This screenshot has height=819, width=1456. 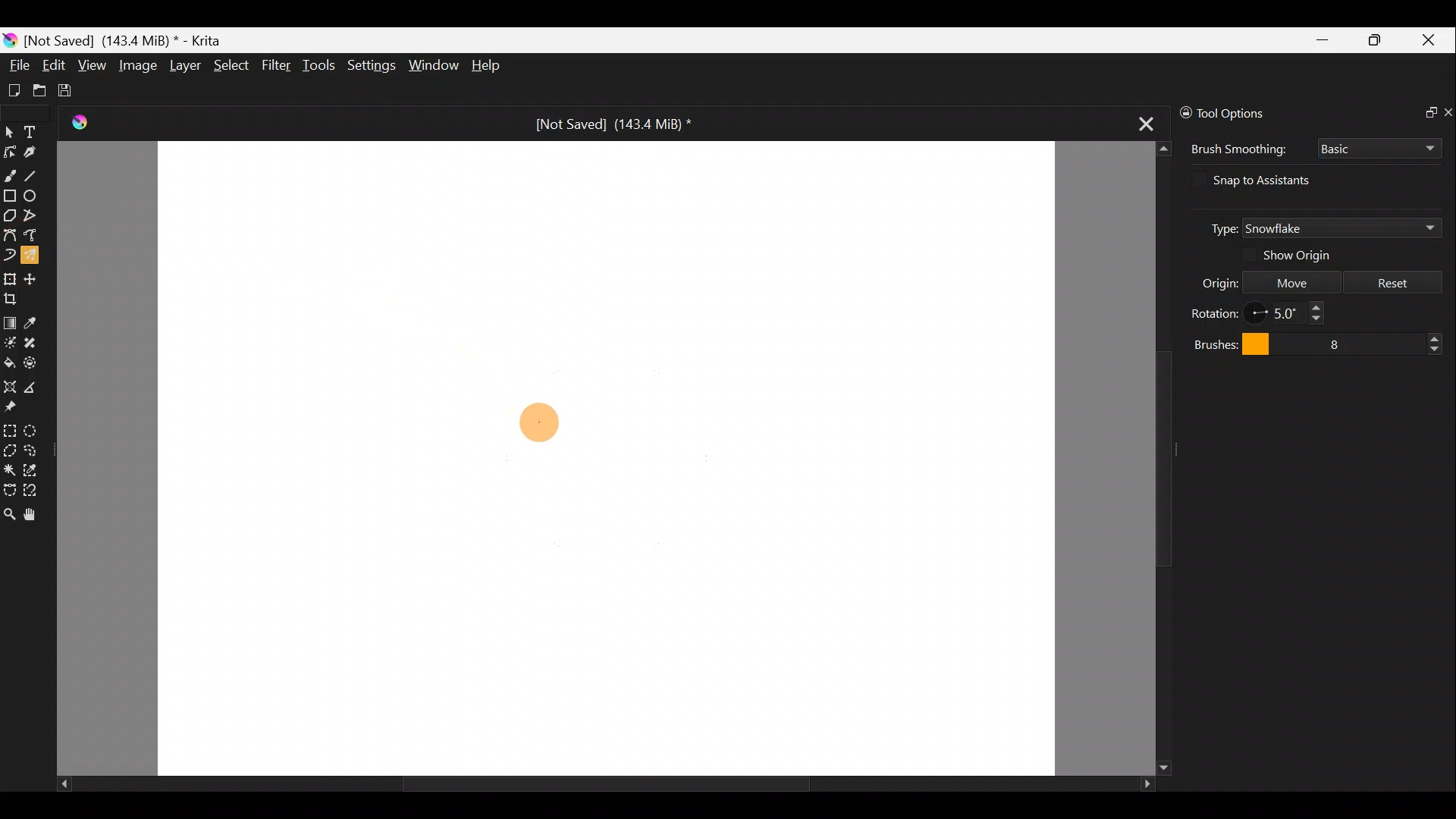 I want to click on Calligraphy, so click(x=35, y=149).